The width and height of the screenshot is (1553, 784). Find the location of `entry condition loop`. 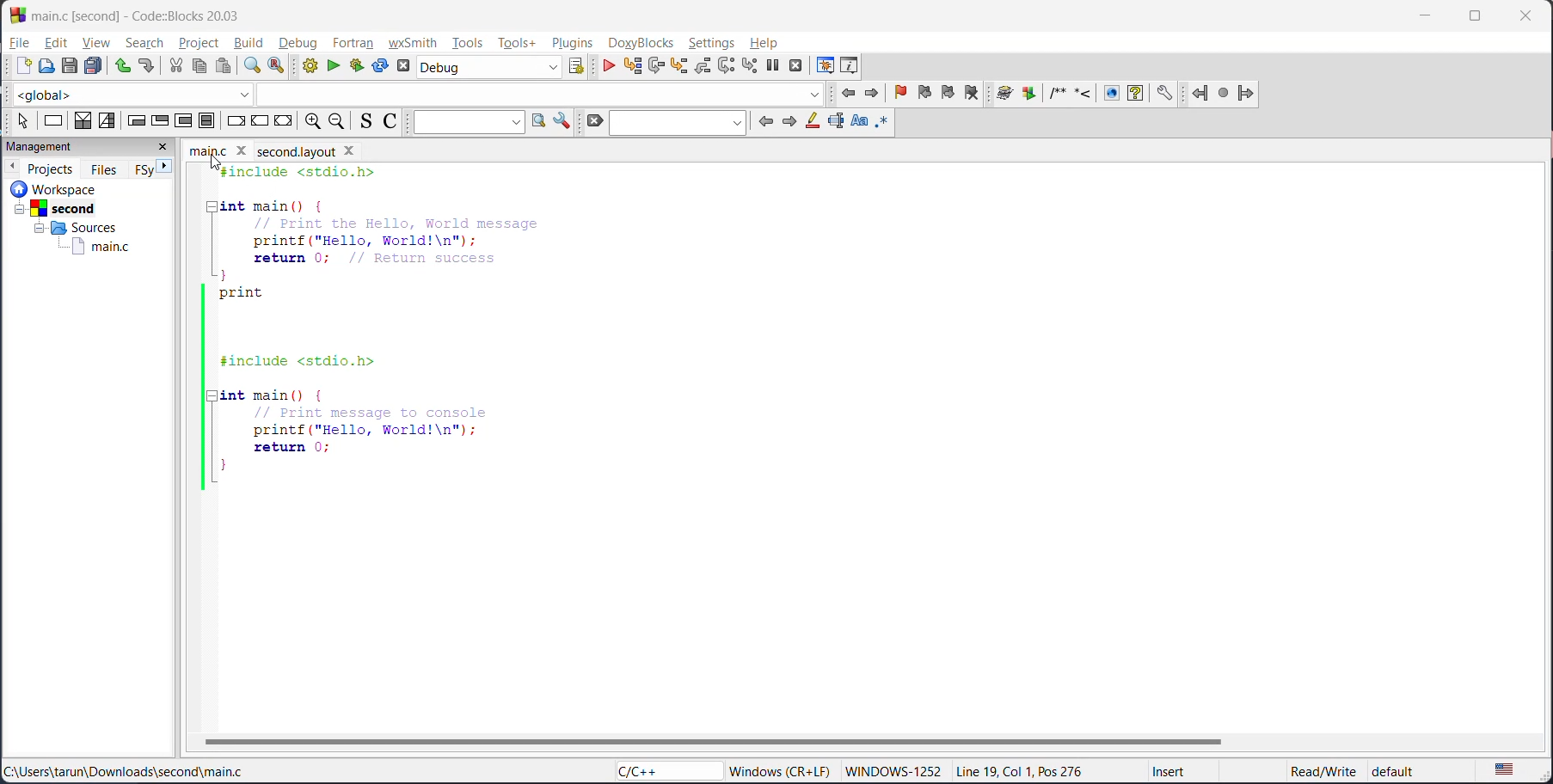

entry condition loop is located at coordinates (137, 121).